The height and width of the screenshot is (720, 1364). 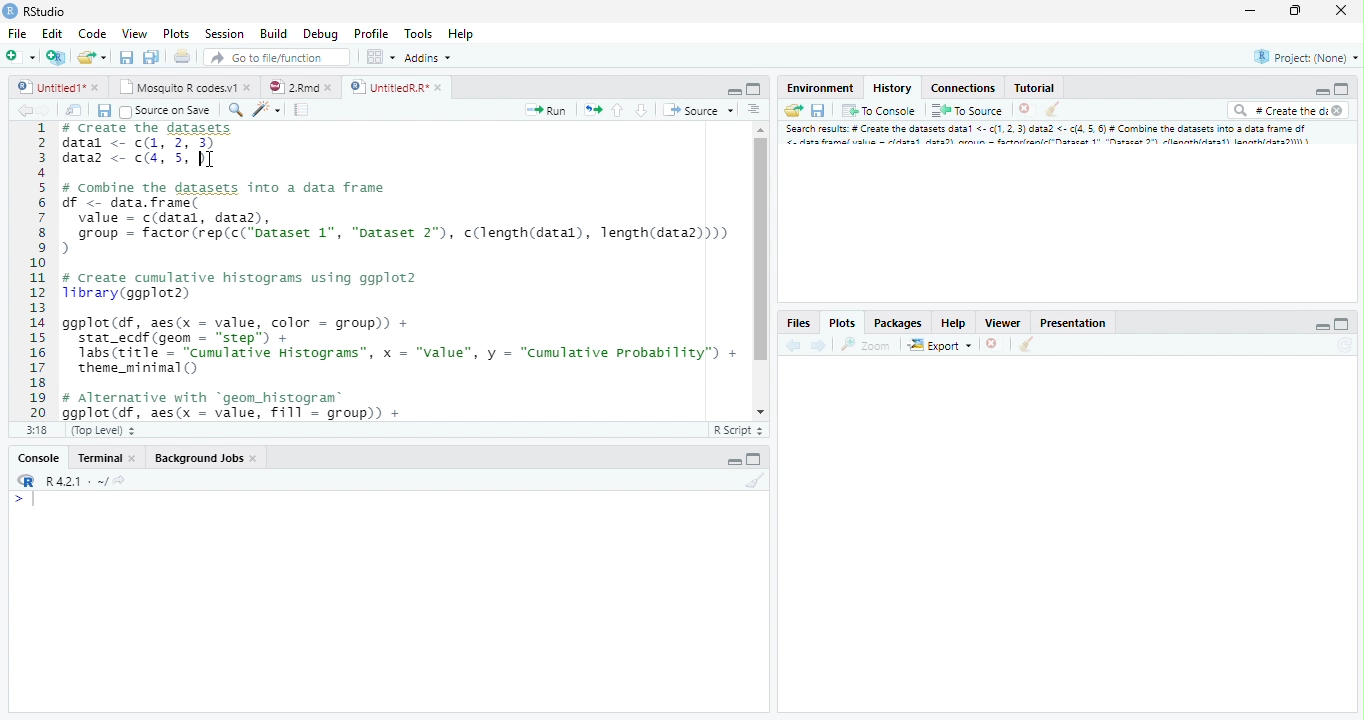 What do you see at coordinates (953, 322) in the screenshot?
I see `Help` at bounding box center [953, 322].